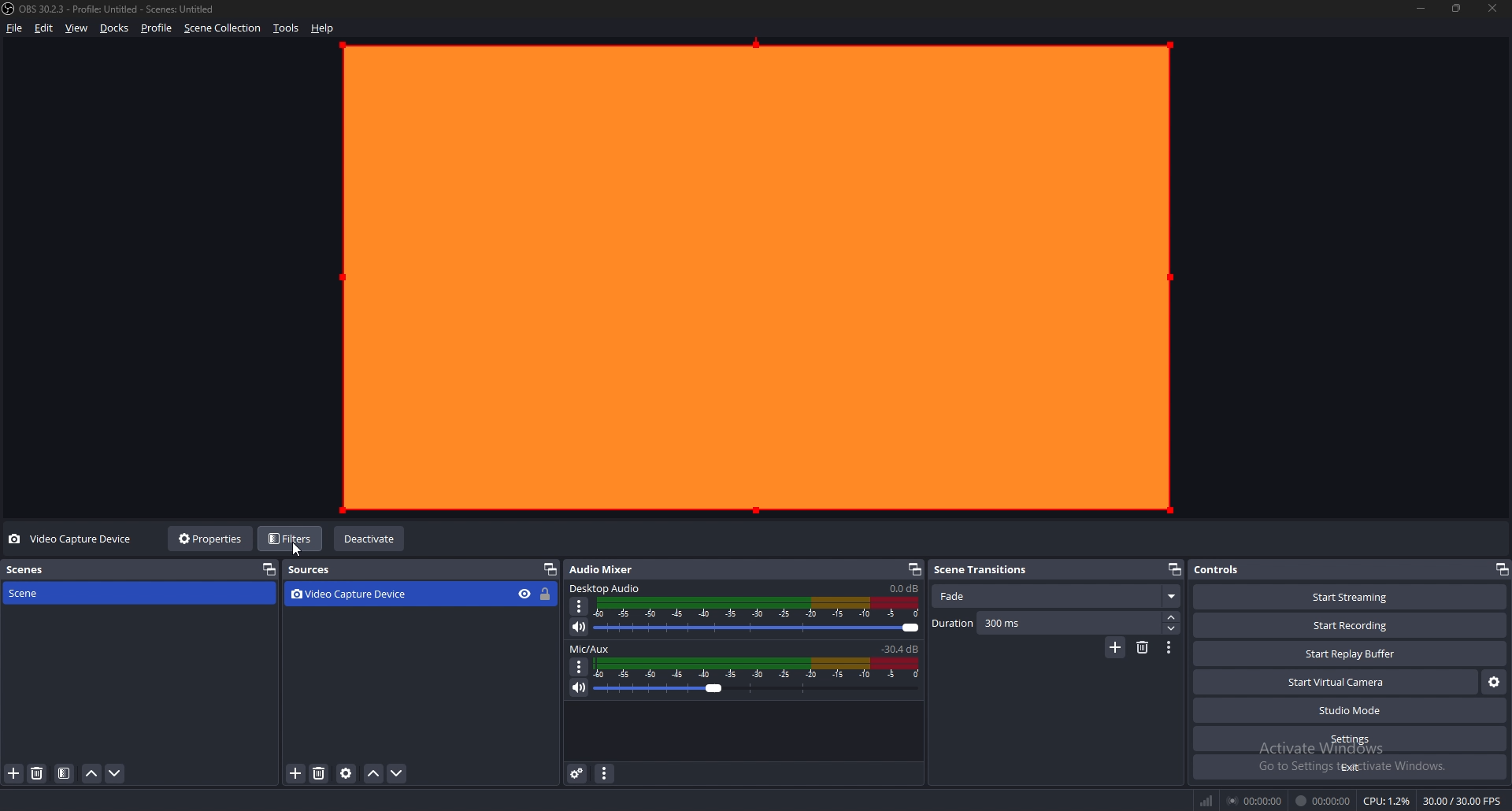 The height and width of the screenshot is (811, 1512). Describe the element at coordinates (1350, 597) in the screenshot. I see `start streaming` at that location.